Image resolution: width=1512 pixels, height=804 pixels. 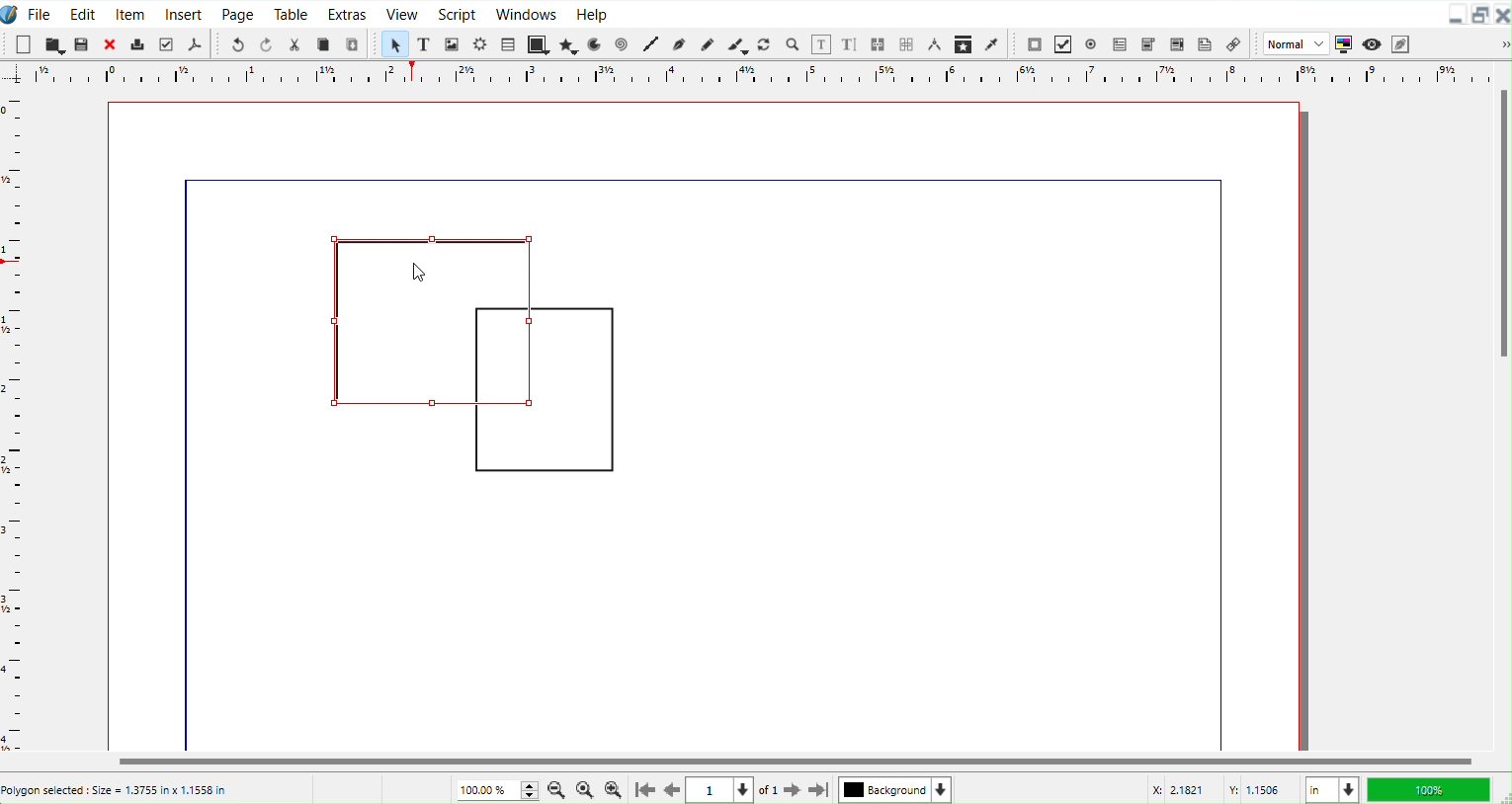 What do you see at coordinates (966, 43) in the screenshot?
I see `Copy Item Properties` at bounding box center [966, 43].